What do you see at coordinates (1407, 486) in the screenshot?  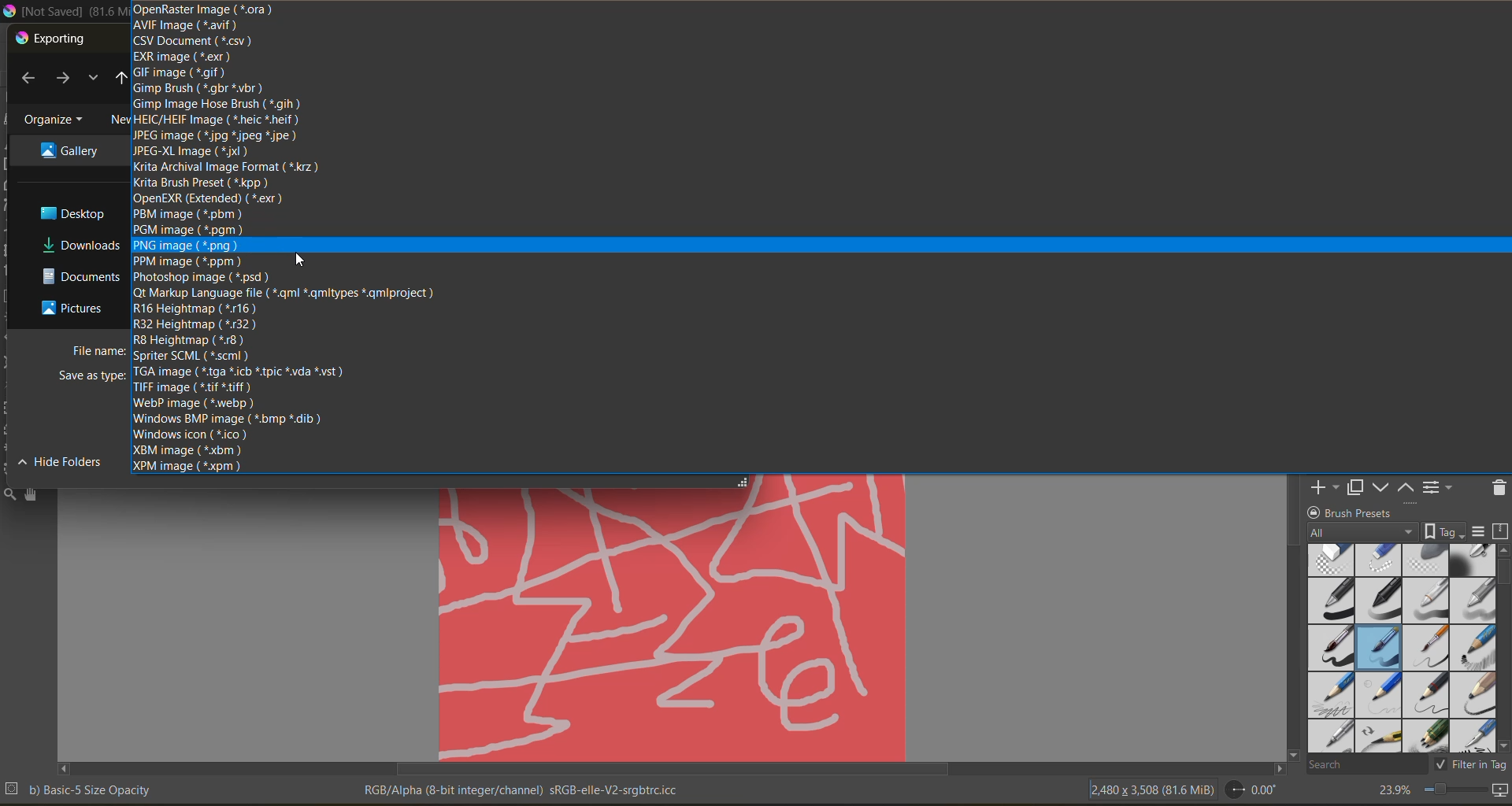 I see `mask up` at bounding box center [1407, 486].